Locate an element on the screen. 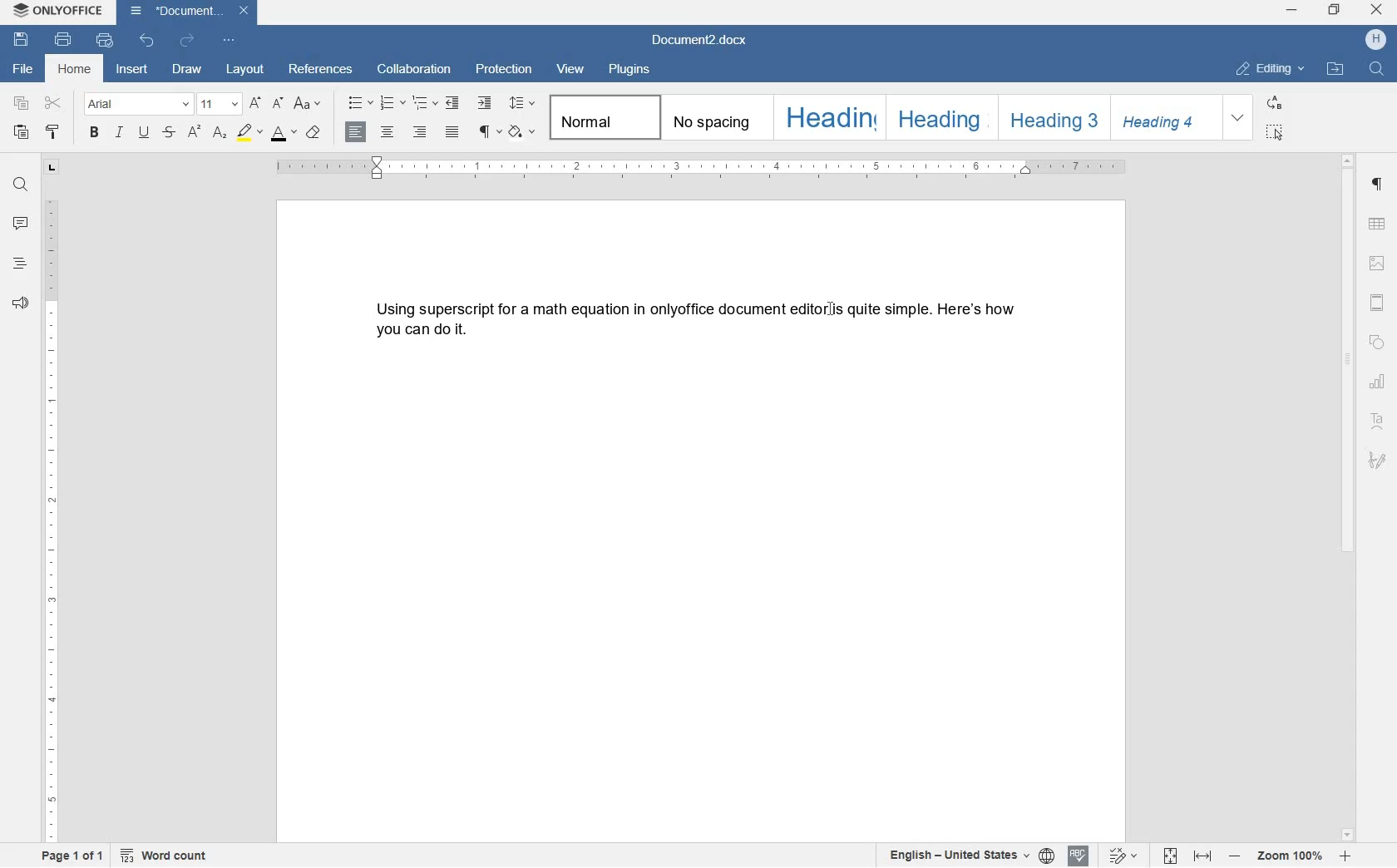  redo is located at coordinates (185, 40).